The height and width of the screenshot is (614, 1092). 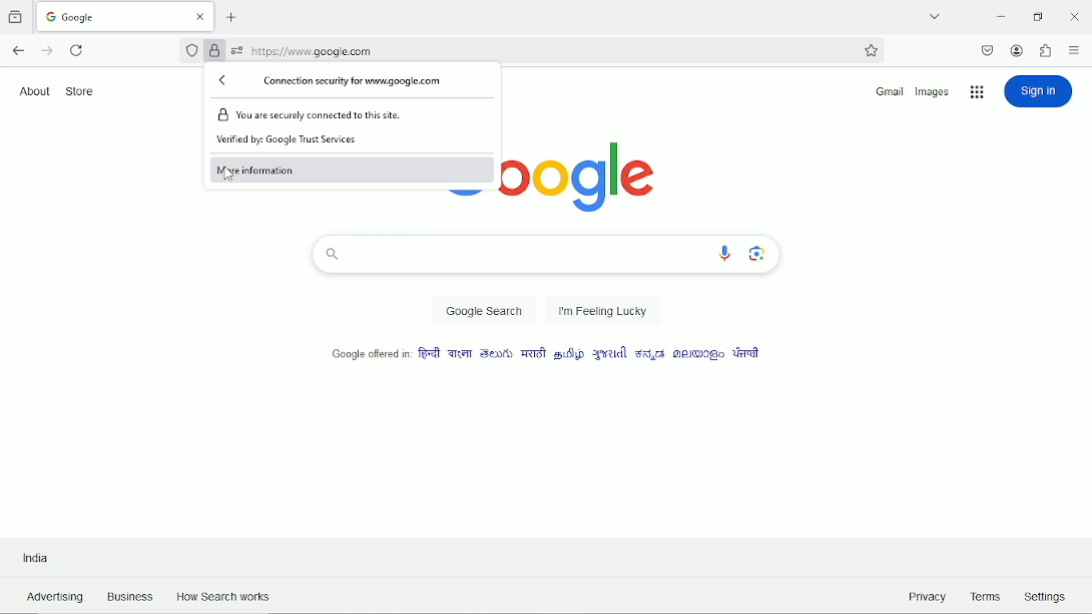 I want to click on Privacy, so click(x=924, y=596).